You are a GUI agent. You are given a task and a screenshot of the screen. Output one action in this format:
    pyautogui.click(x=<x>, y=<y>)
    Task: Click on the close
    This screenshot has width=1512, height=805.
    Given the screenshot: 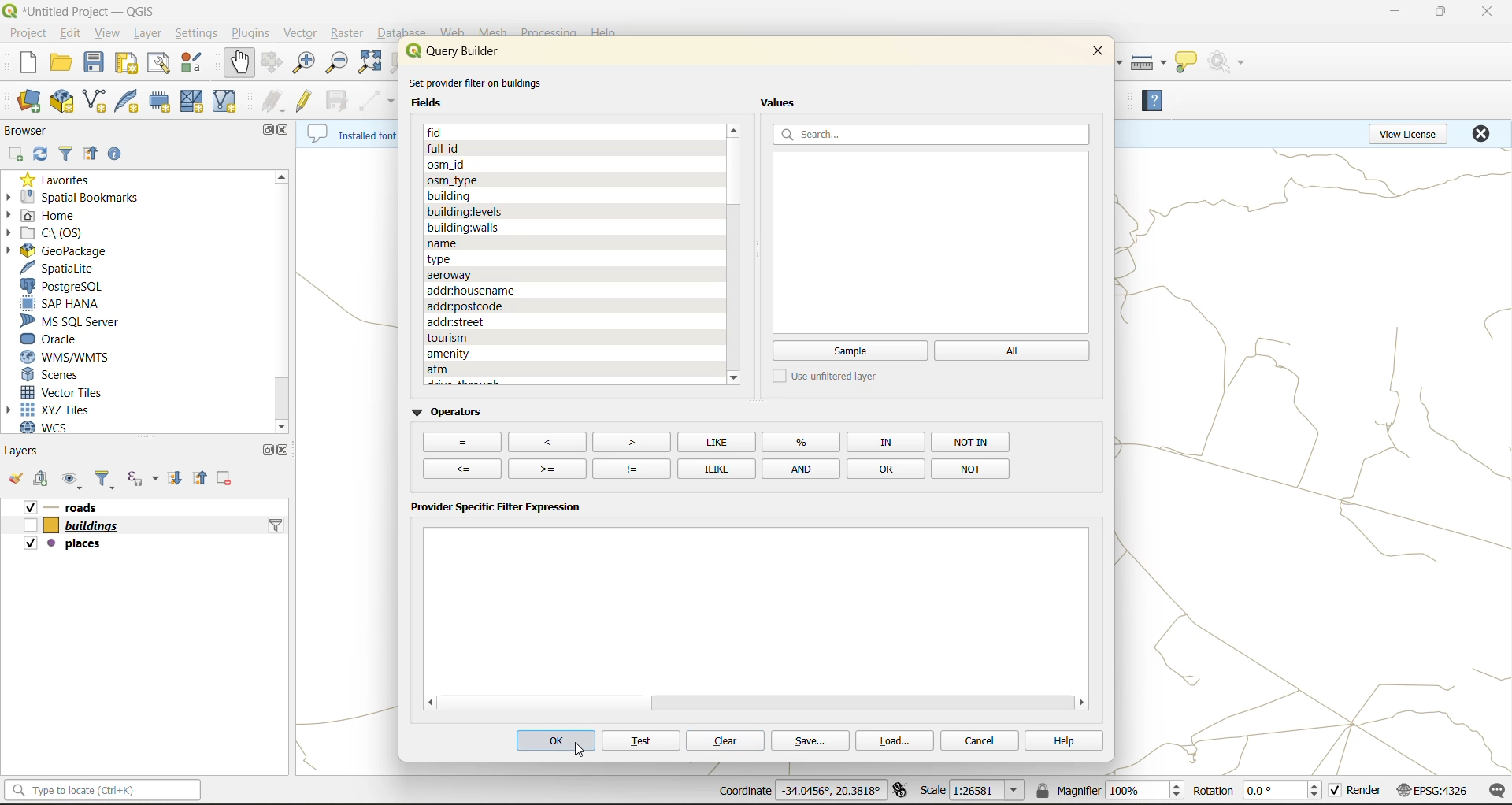 What is the action you would take?
    pyautogui.click(x=1488, y=11)
    